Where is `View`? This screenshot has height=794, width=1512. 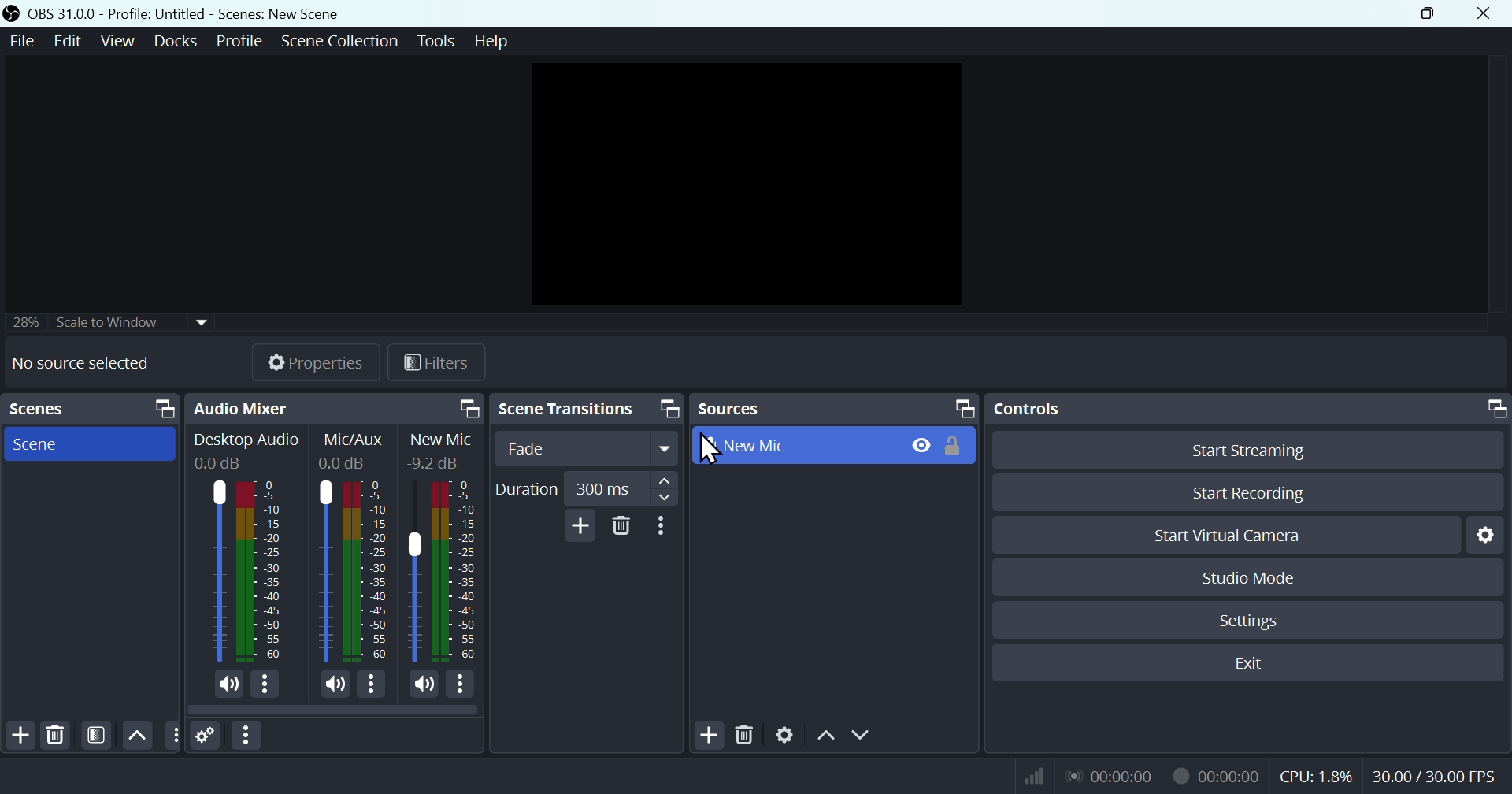
View is located at coordinates (113, 45).